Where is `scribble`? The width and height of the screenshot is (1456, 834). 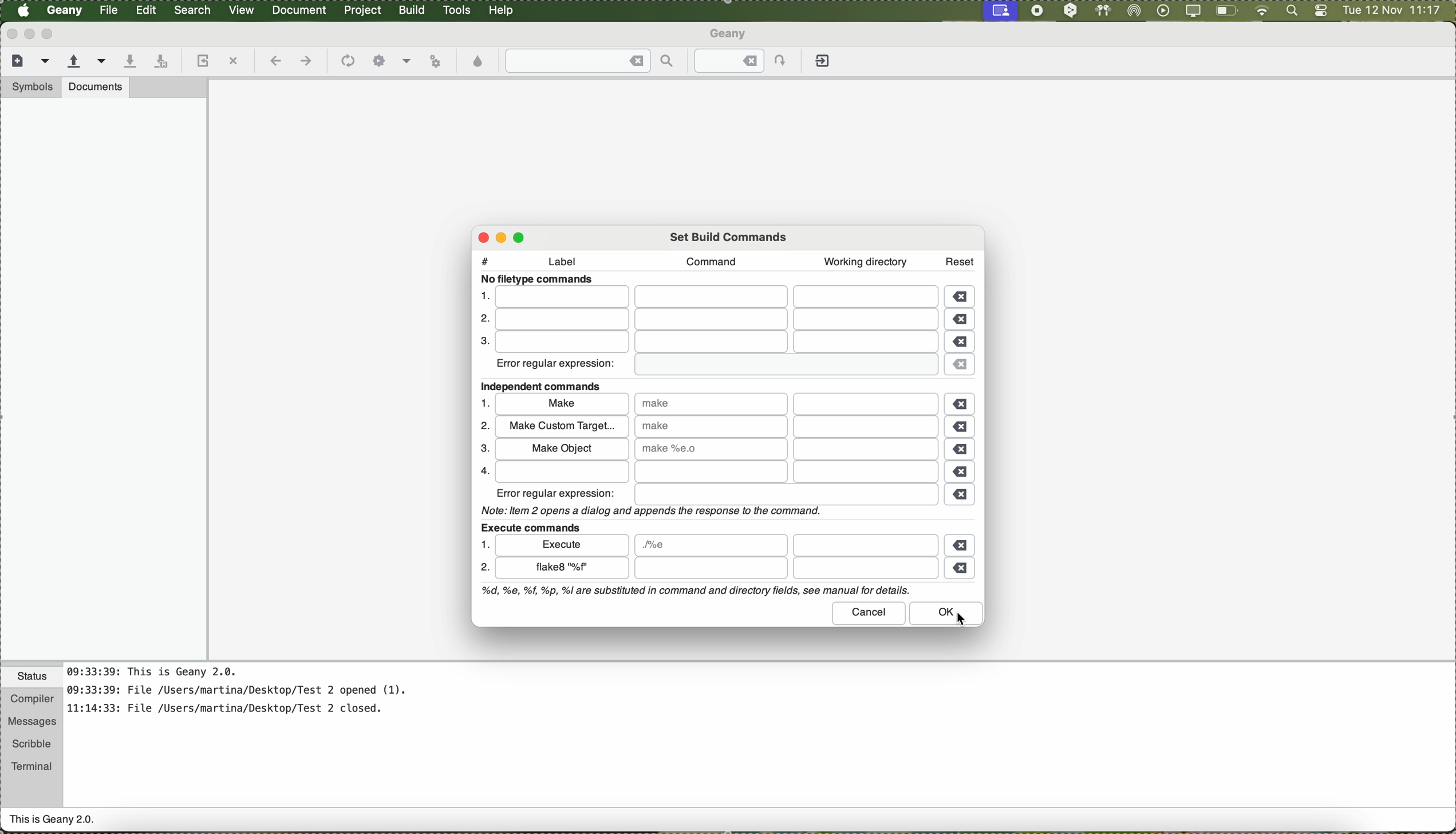 scribble is located at coordinates (32, 744).